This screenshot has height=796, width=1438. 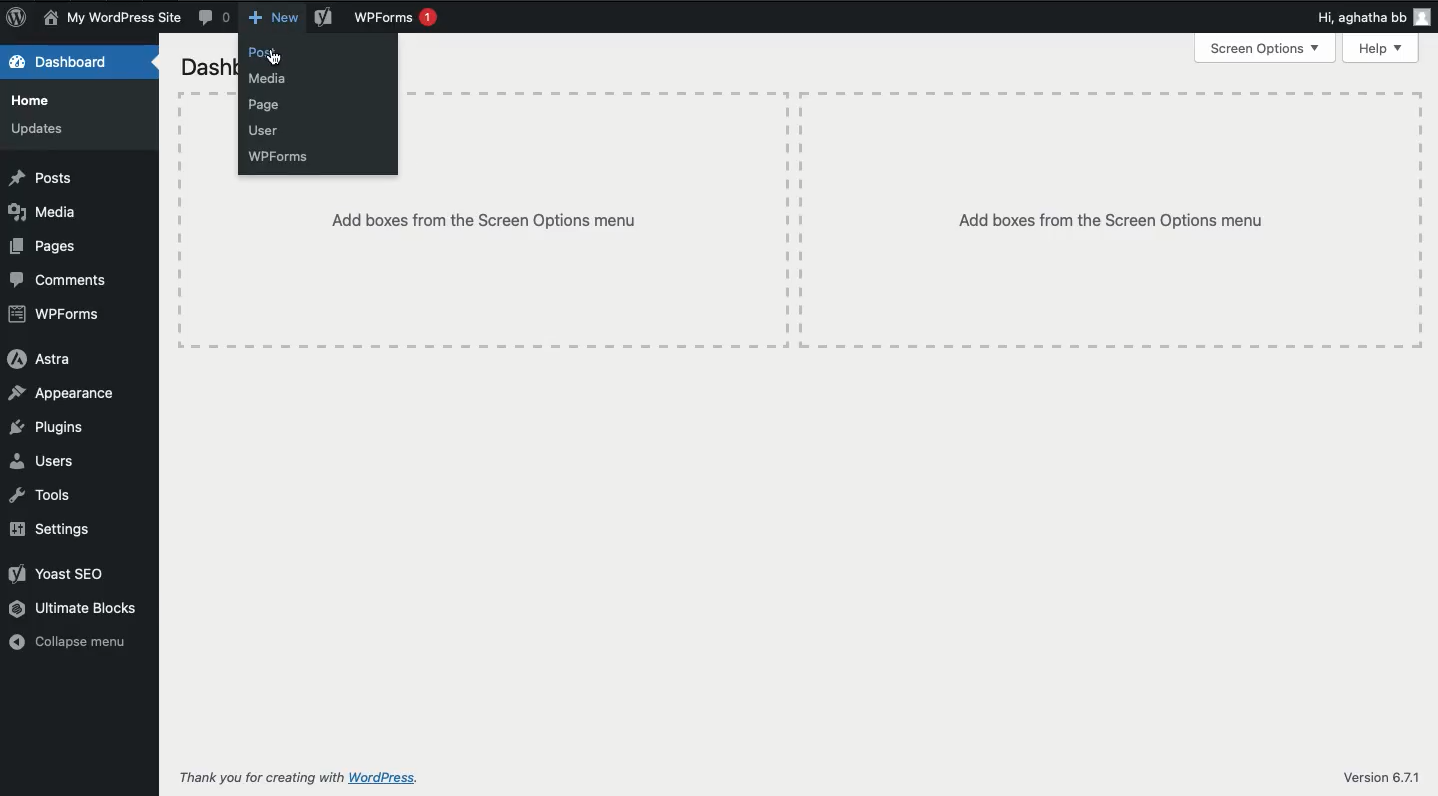 What do you see at coordinates (68, 644) in the screenshot?
I see `Collapse menu` at bounding box center [68, 644].